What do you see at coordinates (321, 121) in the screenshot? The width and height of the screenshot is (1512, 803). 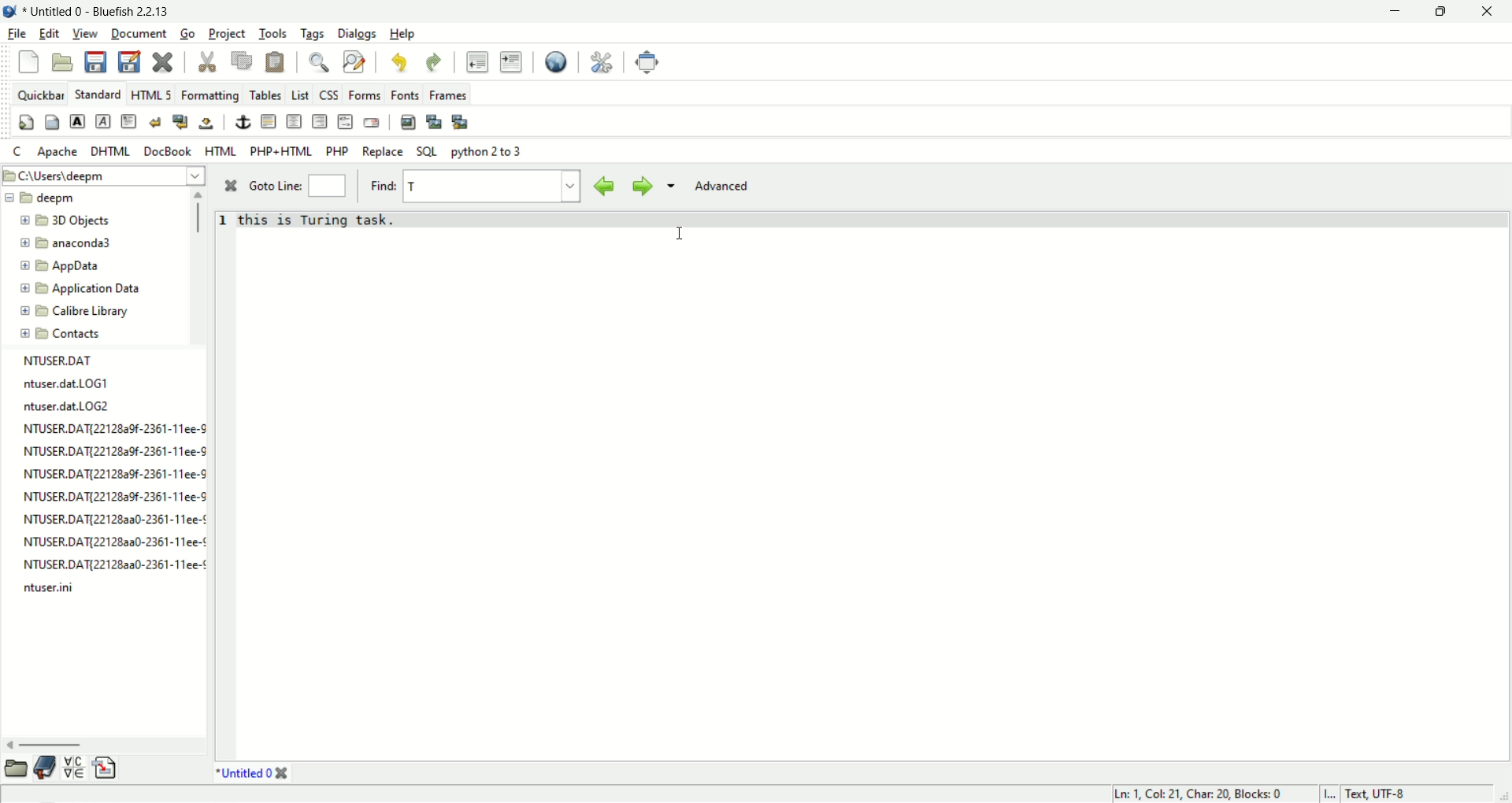 I see `right justify` at bounding box center [321, 121].